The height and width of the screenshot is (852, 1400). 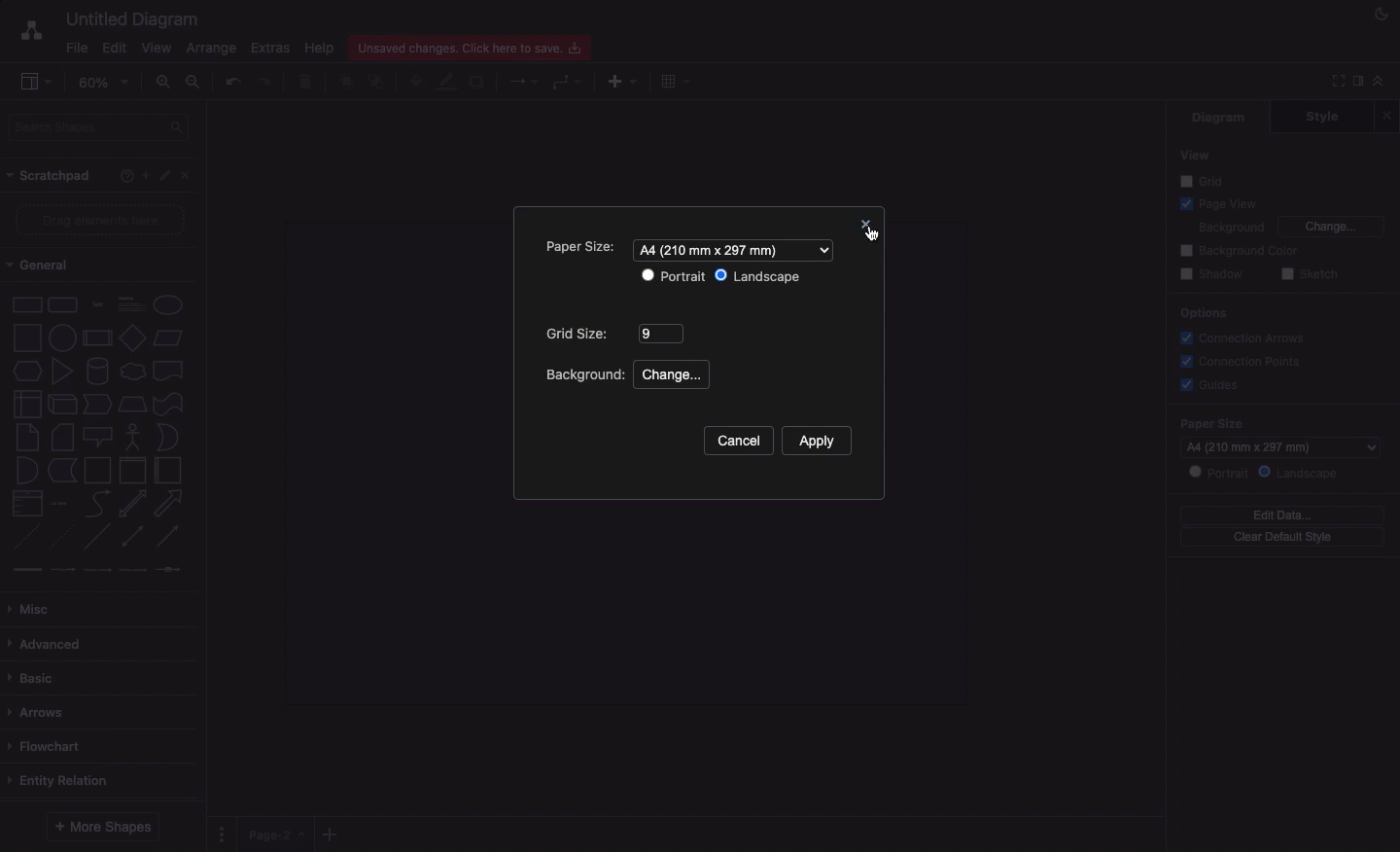 What do you see at coordinates (186, 175) in the screenshot?
I see `Close` at bounding box center [186, 175].